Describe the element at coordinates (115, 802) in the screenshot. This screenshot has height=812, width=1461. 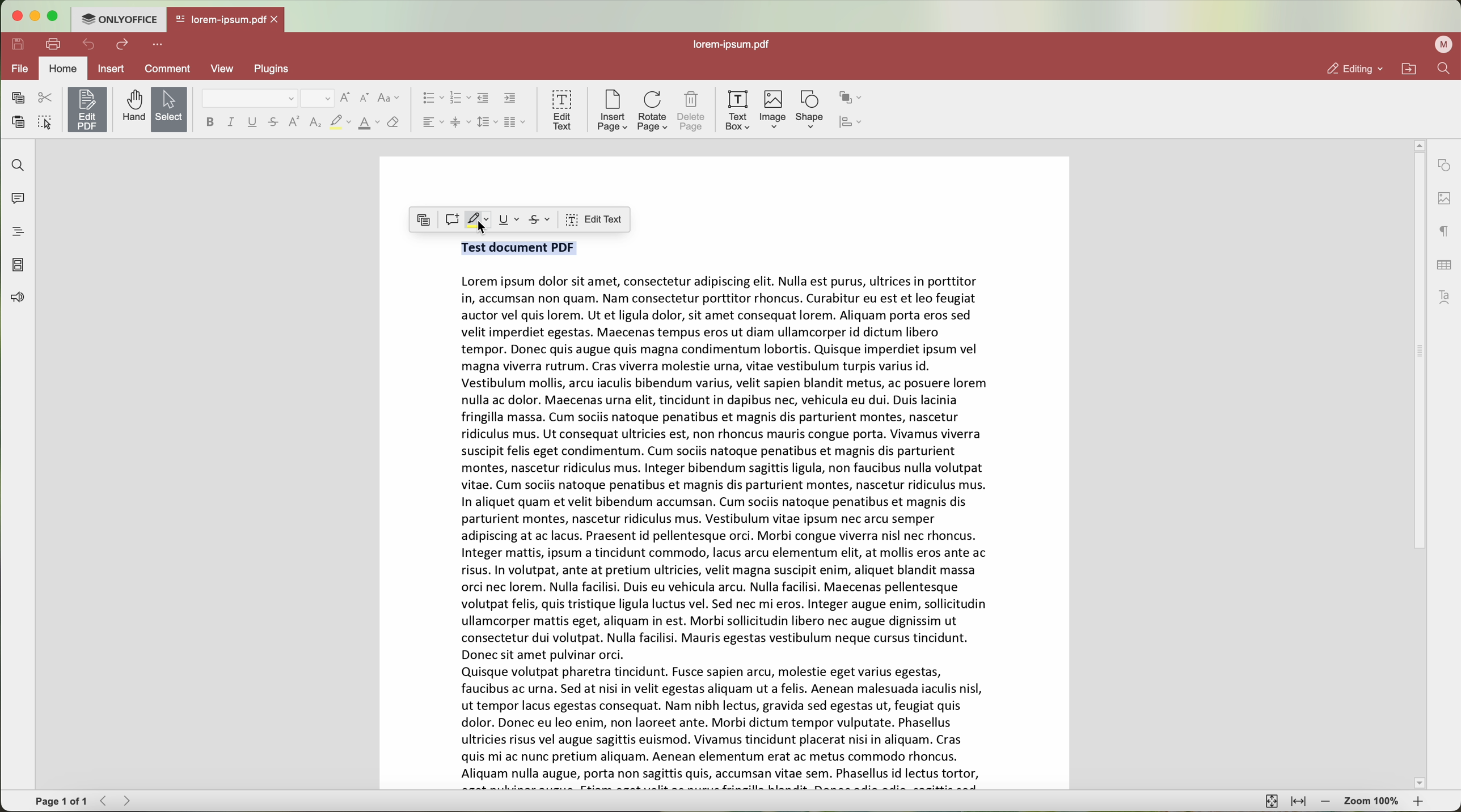
I see `navigate arrows` at that location.